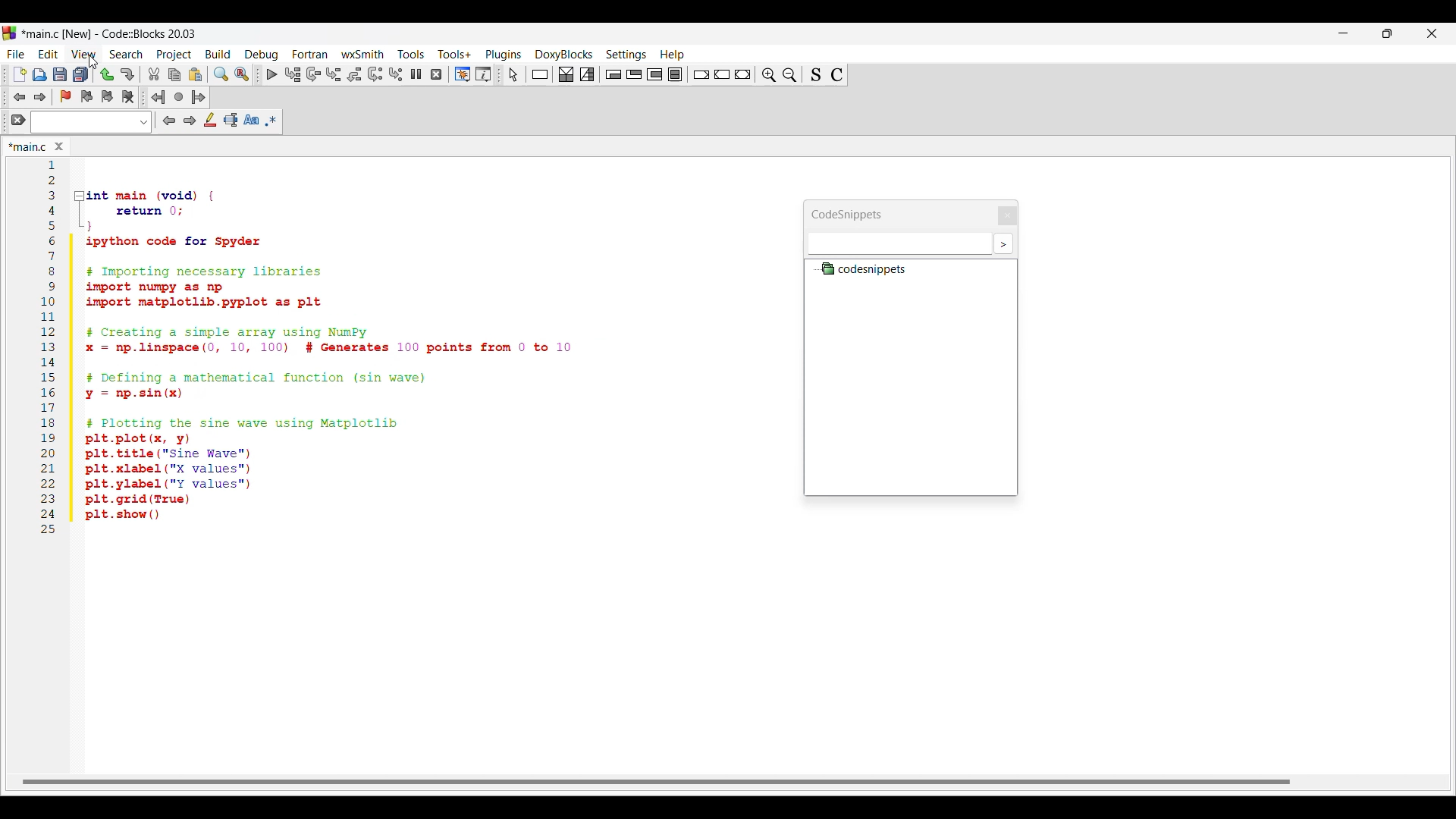  I want to click on Step out, so click(353, 74).